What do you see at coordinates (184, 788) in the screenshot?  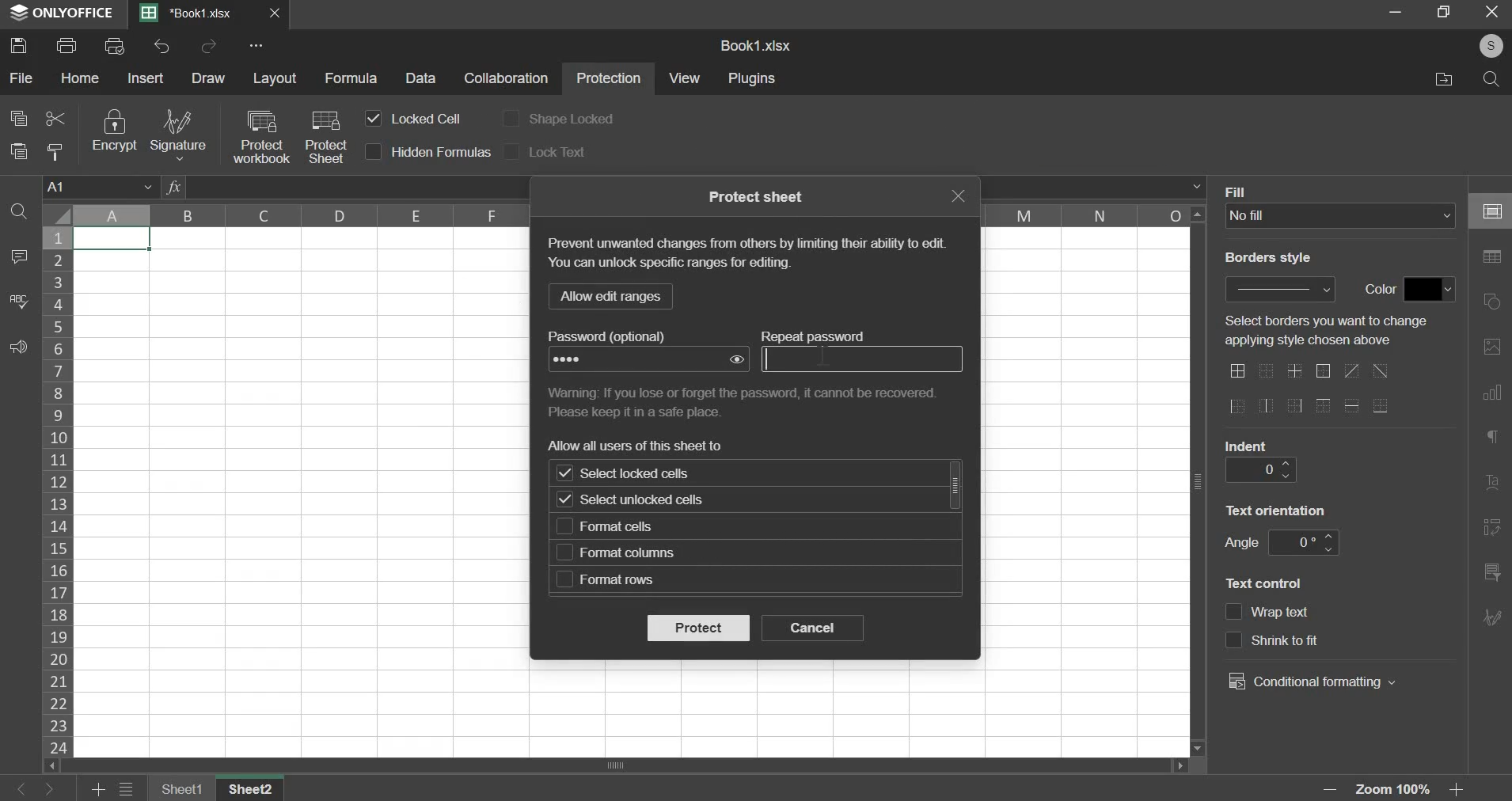 I see `sheet` at bounding box center [184, 788].